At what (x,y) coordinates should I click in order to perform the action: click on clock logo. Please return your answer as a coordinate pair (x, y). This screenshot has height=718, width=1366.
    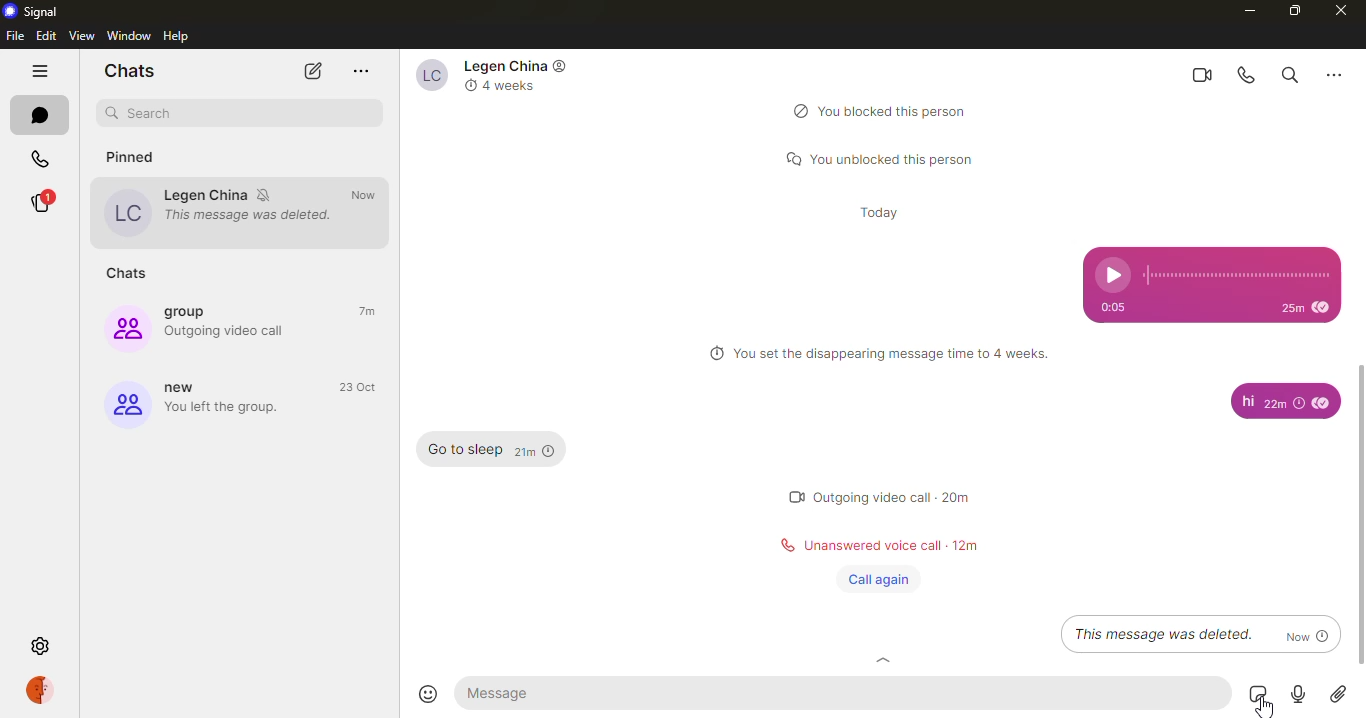
    Looking at the image, I should click on (713, 353).